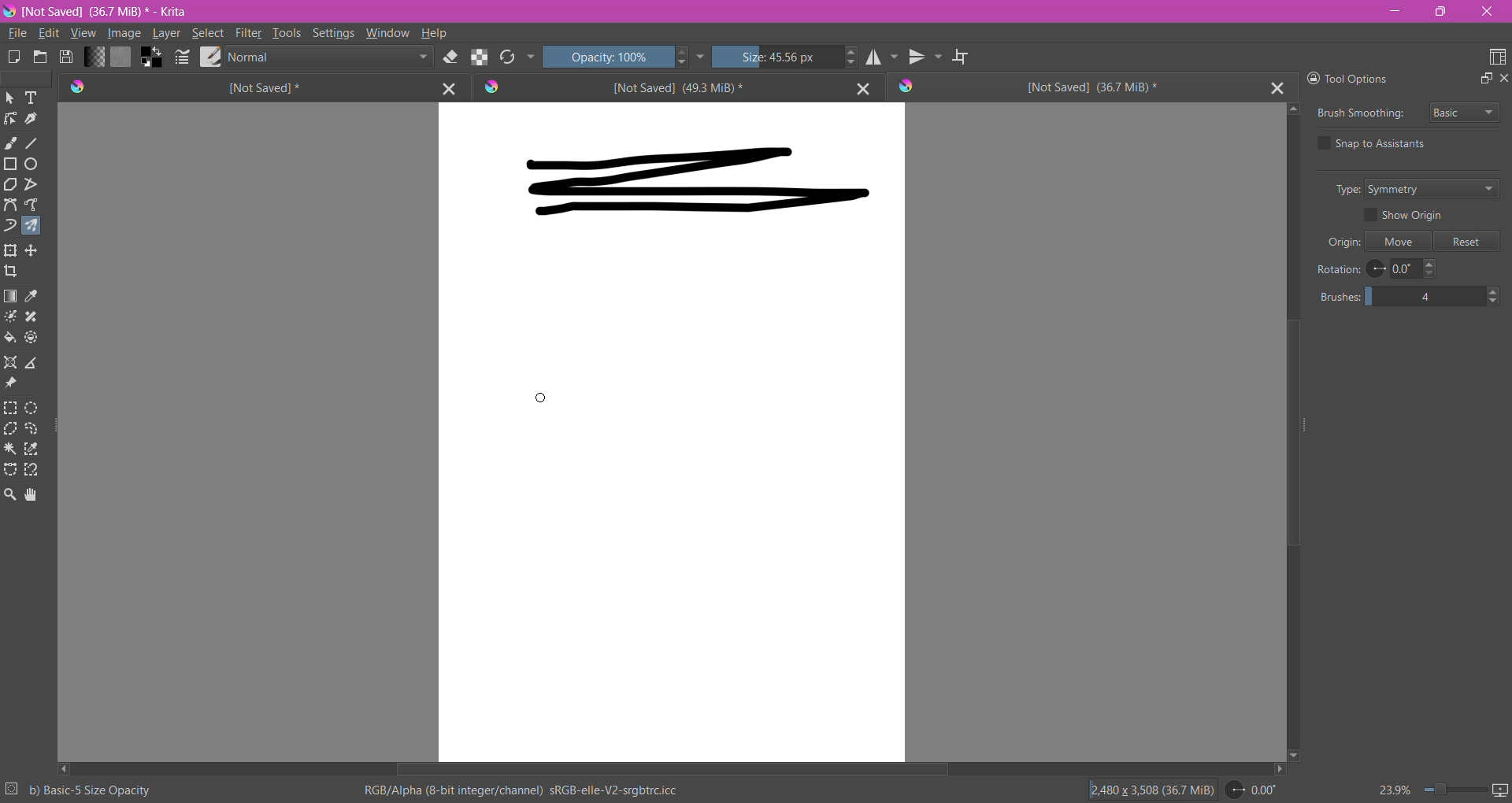  Describe the element at coordinates (652, 87) in the screenshot. I see `Unsaved Document Tab2` at that location.